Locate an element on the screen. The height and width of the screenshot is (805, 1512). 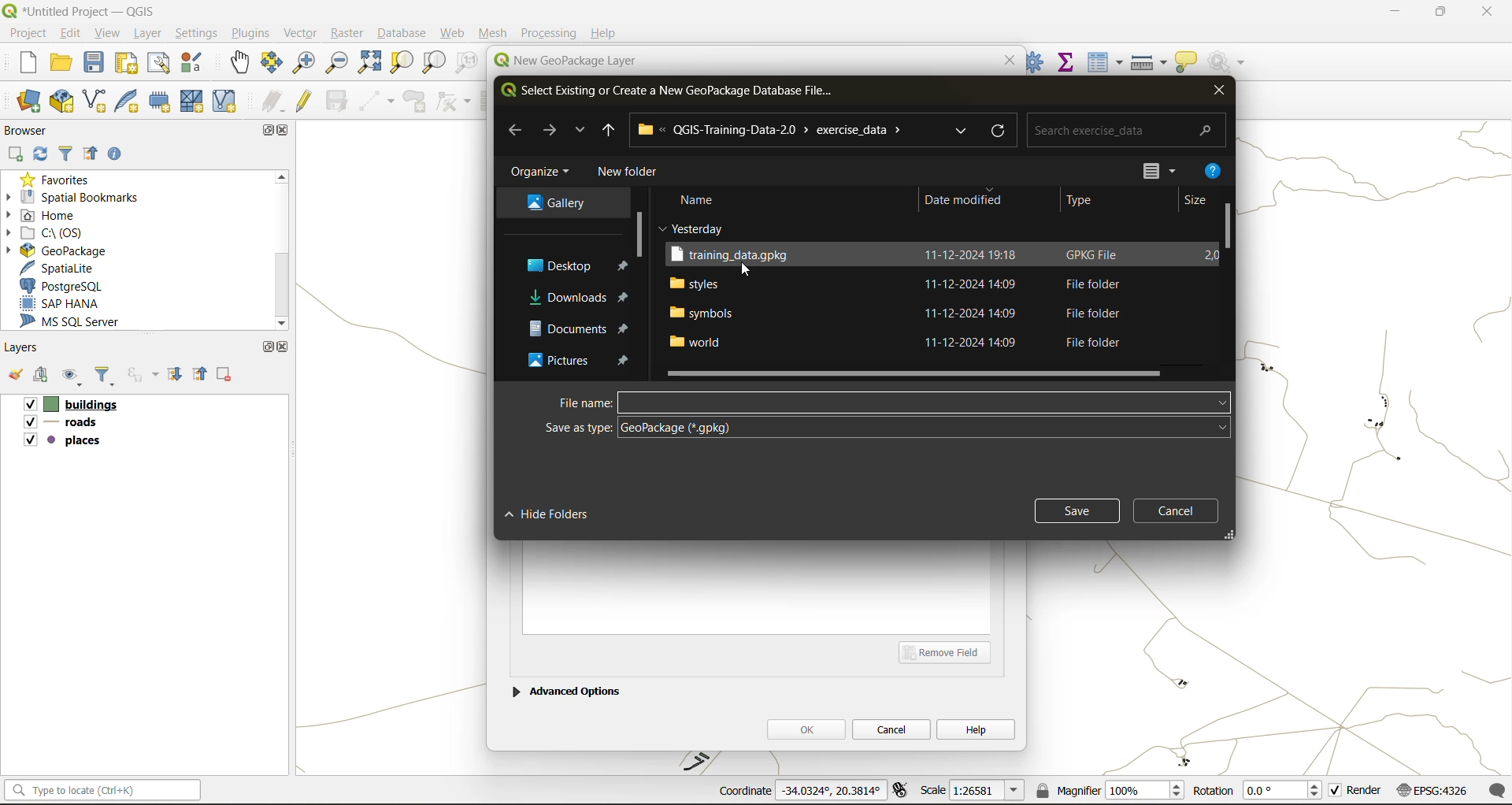
sap hana is located at coordinates (74, 304).